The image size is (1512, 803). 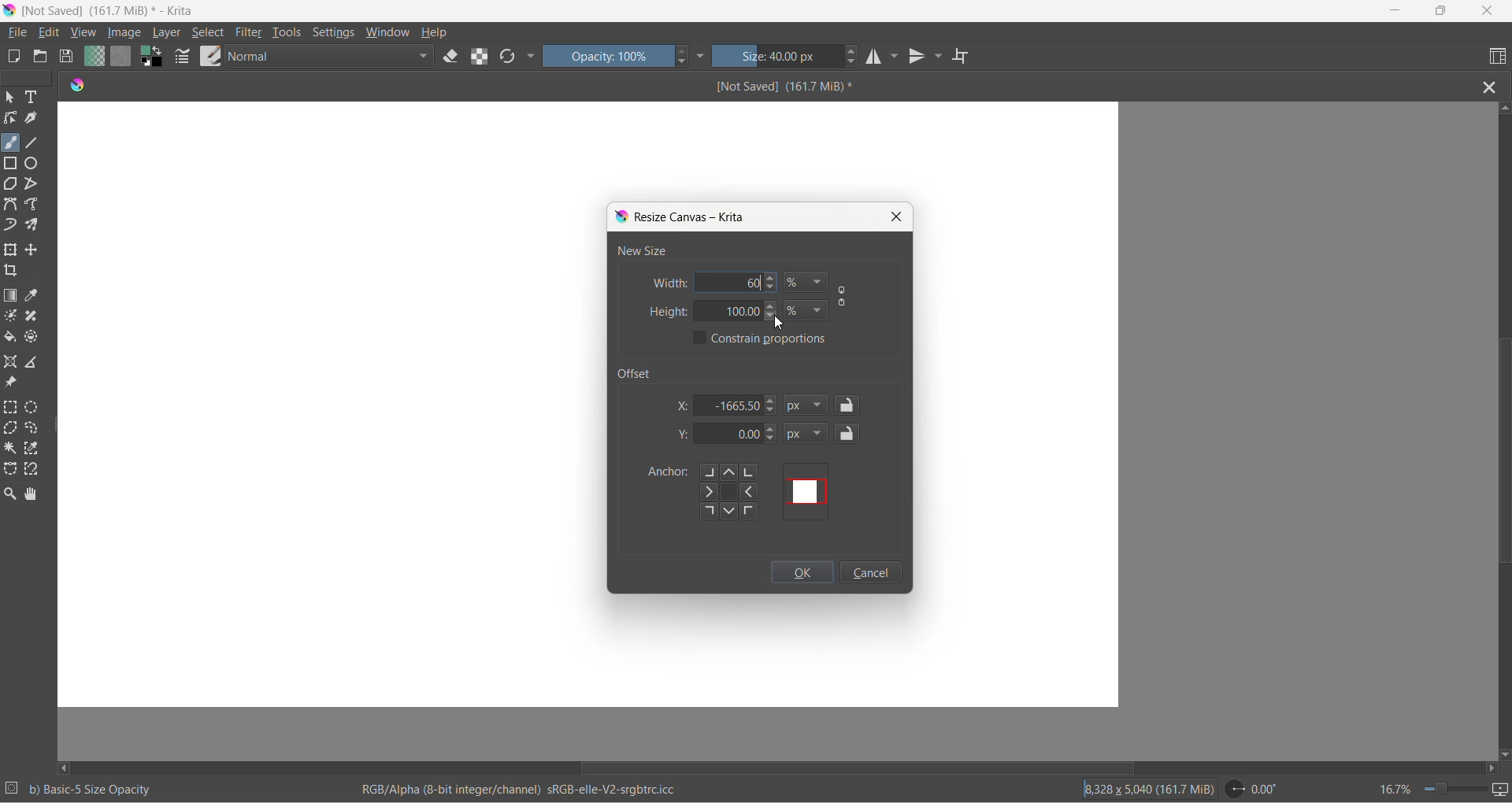 I want to click on vertical mirror tool, so click(x=918, y=58).